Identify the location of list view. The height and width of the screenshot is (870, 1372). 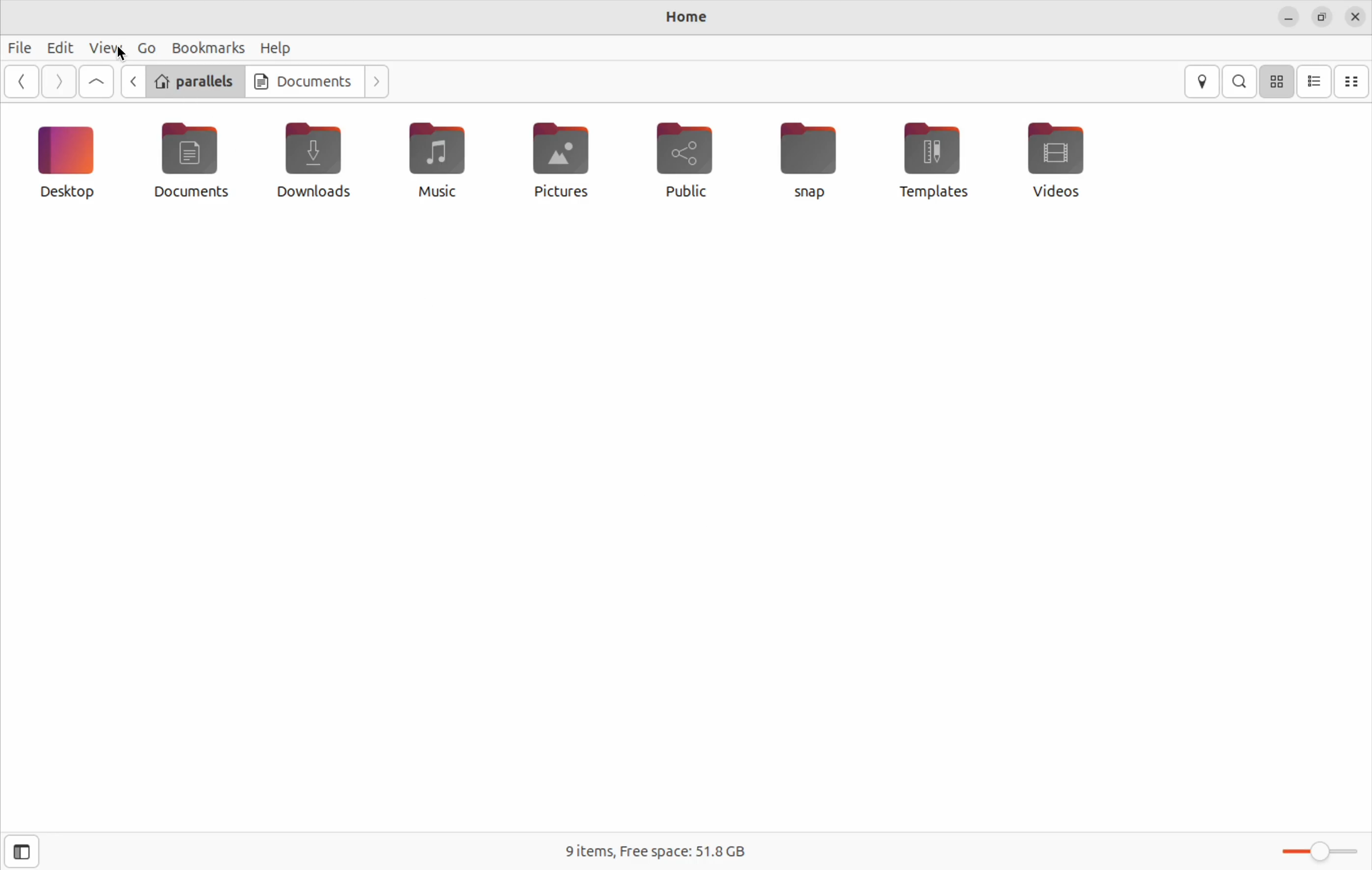
(1314, 82).